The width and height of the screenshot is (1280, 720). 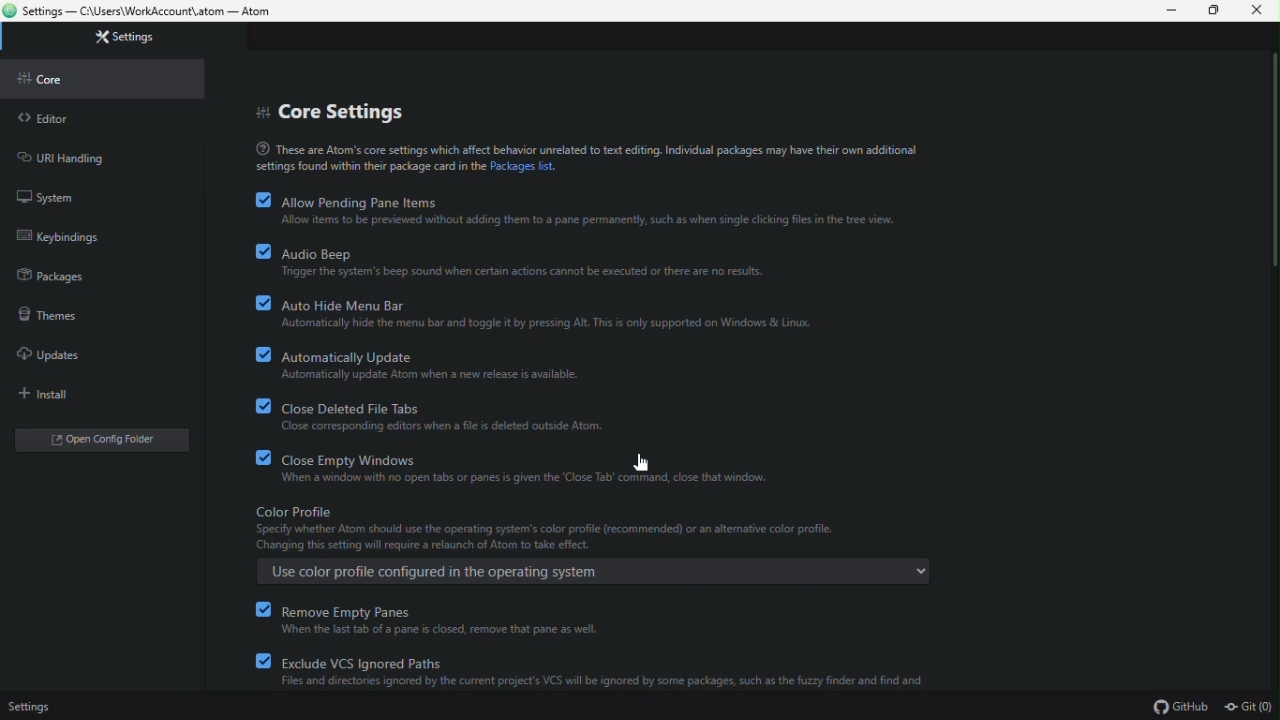 What do you see at coordinates (618, 673) in the screenshot?
I see `exclude vcs ignored paths` at bounding box center [618, 673].